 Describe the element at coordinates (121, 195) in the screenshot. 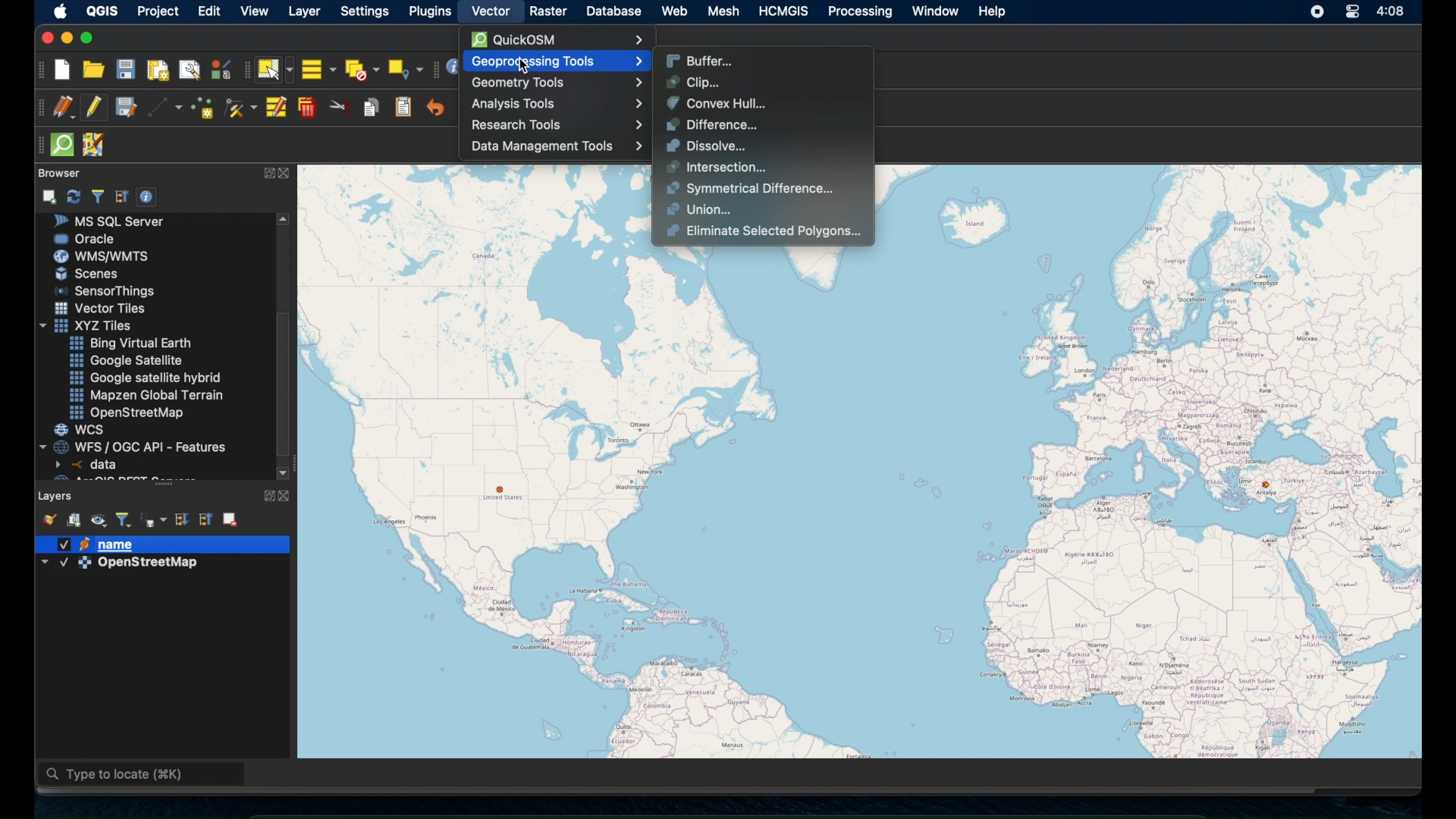

I see `collapse all` at that location.